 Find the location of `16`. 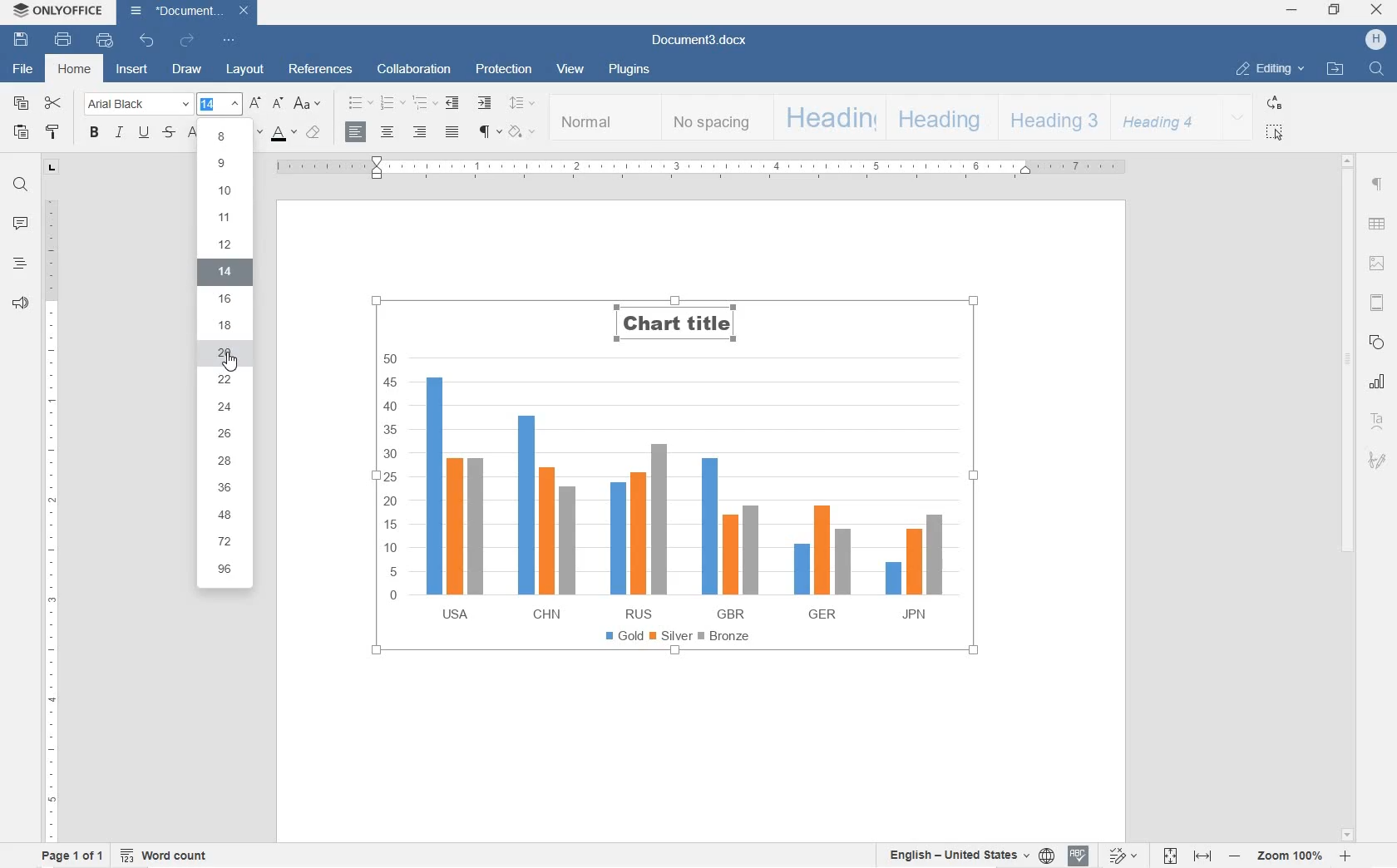

16 is located at coordinates (225, 300).